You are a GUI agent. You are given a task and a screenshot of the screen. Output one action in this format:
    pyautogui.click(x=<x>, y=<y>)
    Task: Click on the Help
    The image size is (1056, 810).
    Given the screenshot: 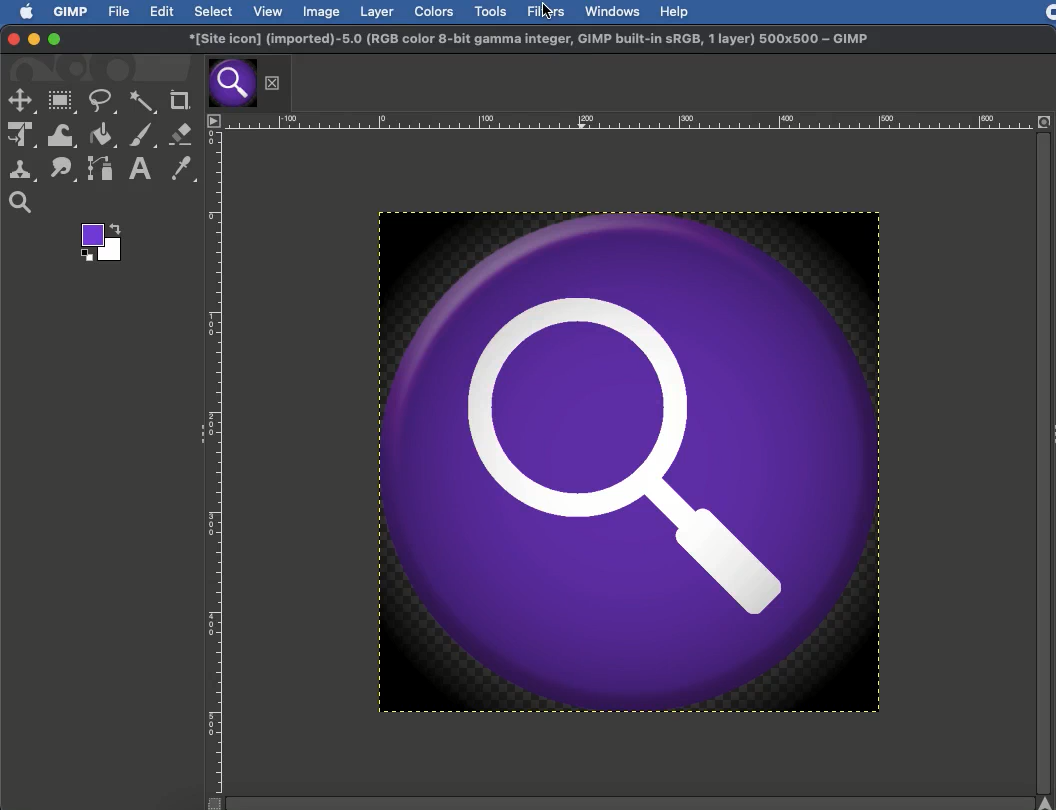 What is the action you would take?
    pyautogui.click(x=675, y=12)
    